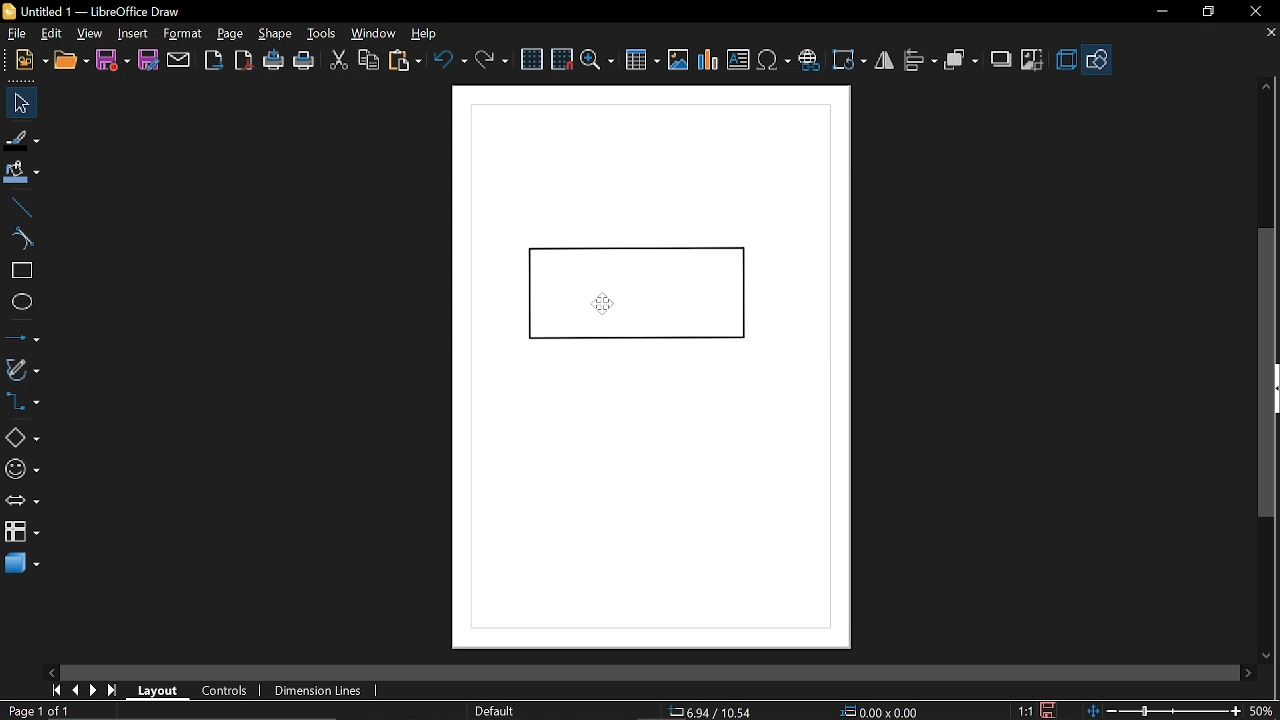 The height and width of the screenshot is (720, 1280). What do you see at coordinates (22, 336) in the screenshot?
I see `line and arrows` at bounding box center [22, 336].